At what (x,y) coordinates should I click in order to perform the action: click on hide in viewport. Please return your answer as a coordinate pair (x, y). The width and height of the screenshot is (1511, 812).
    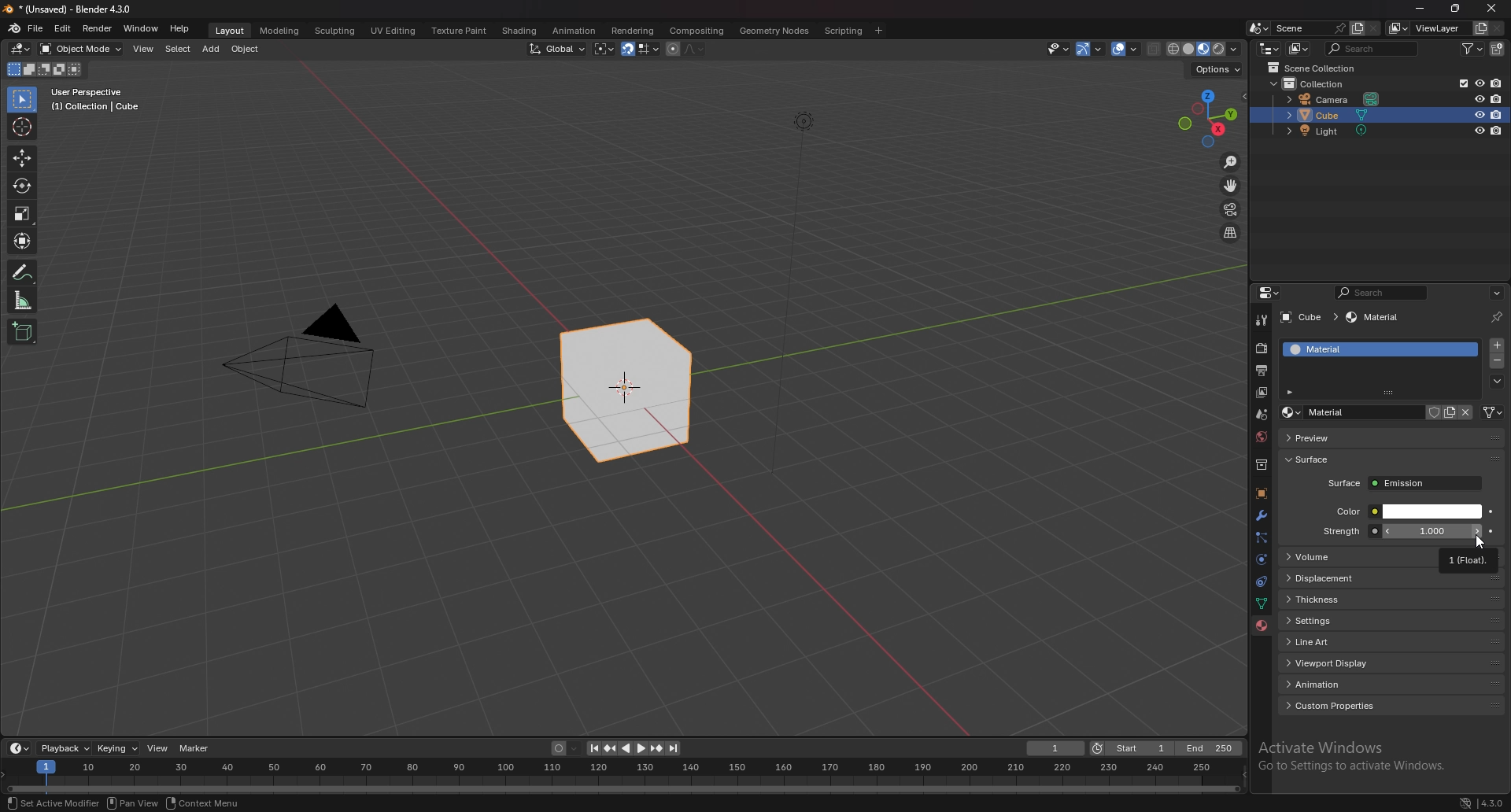
    Looking at the image, I should click on (1480, 82).